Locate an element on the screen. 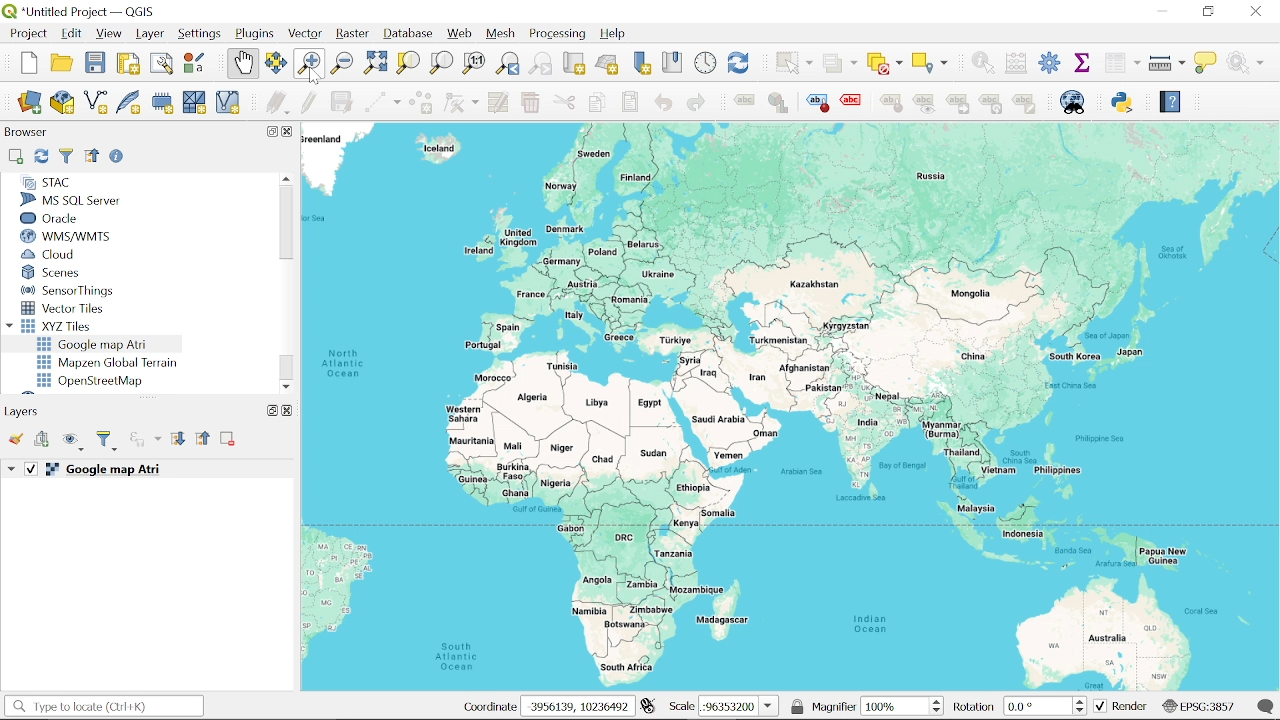  Style manager is located at coordinates (195, 63).